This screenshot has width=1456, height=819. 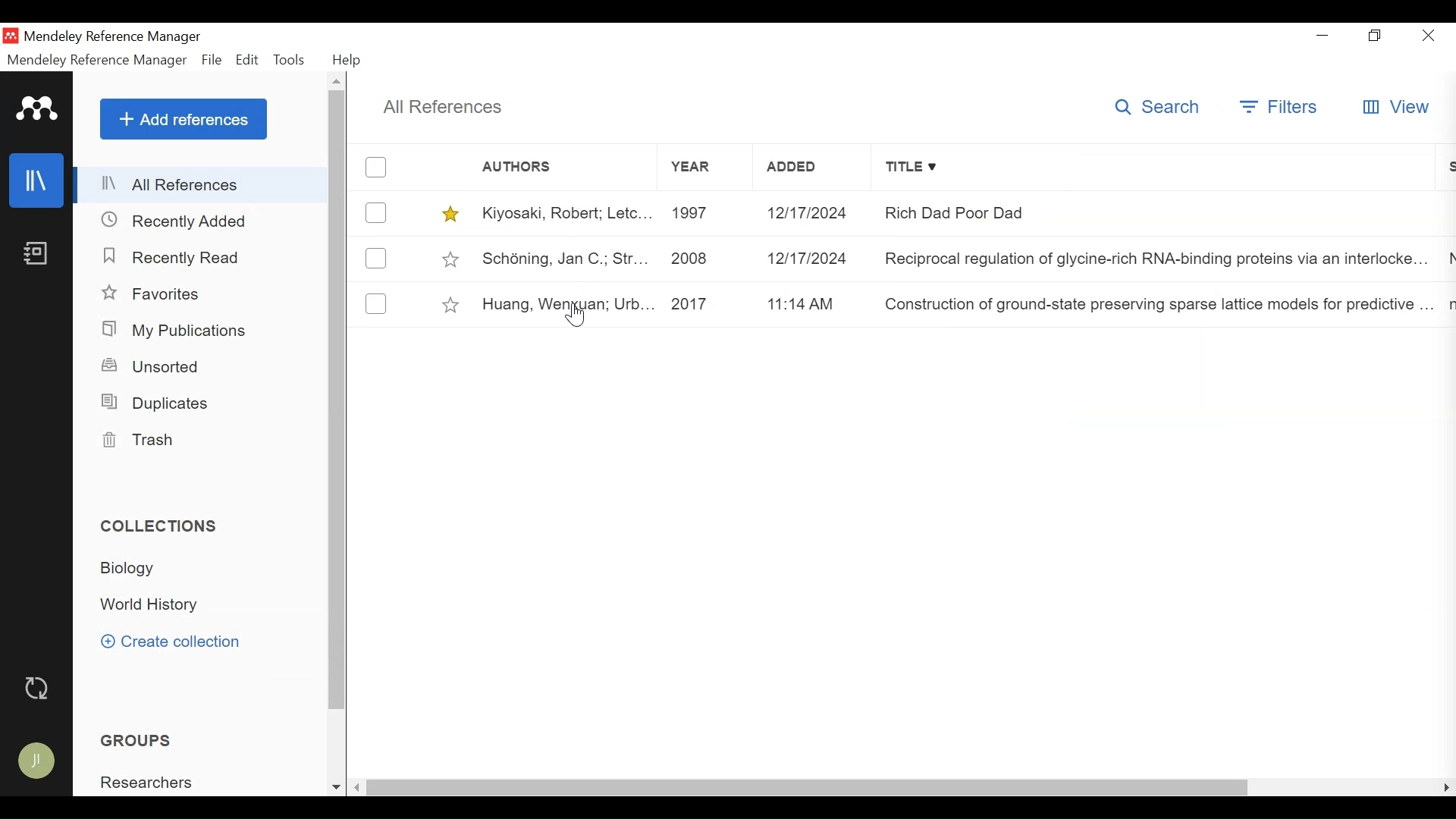 I want to click on Mendeley Reference Manager, so click(x=116, y=38).